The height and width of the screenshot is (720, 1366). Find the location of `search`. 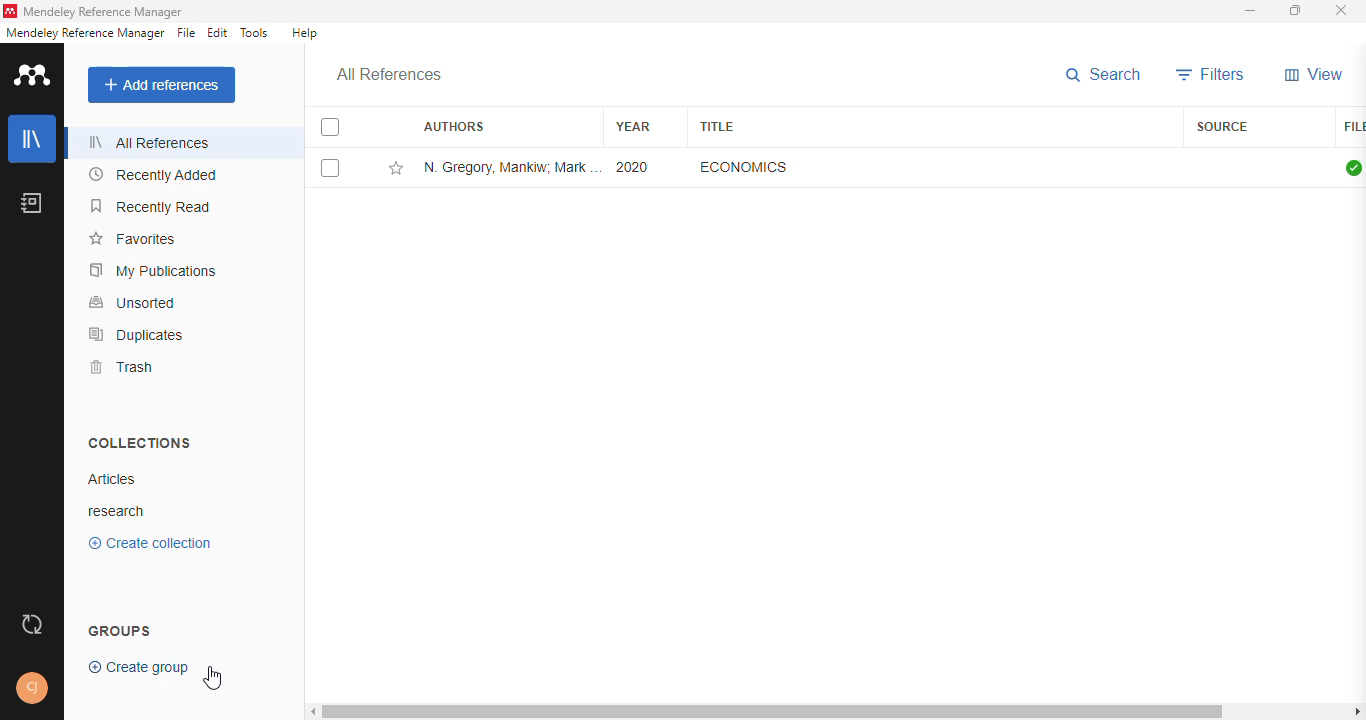

search is located at coordinates (1103, 75).